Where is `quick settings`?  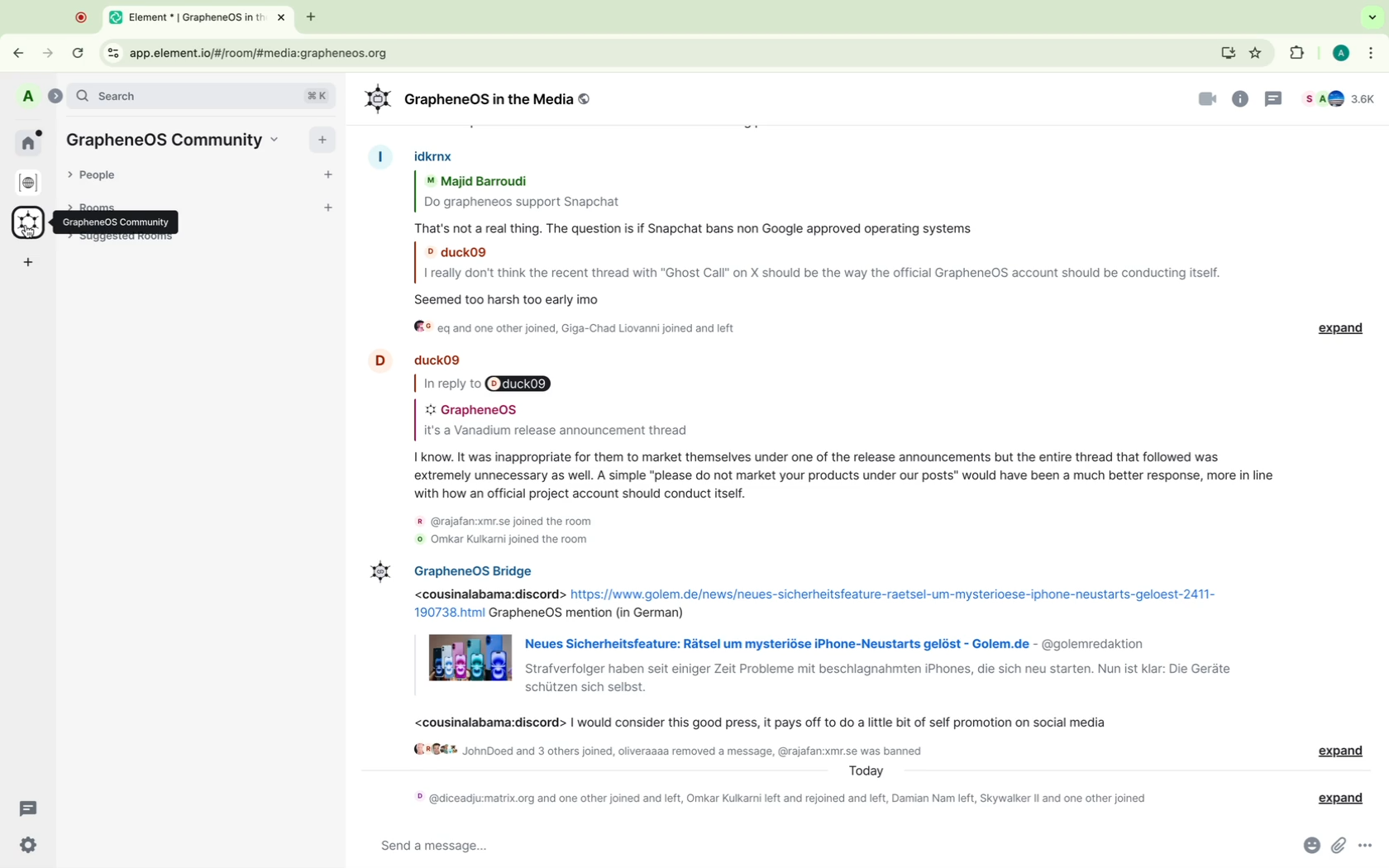 quick settings is located at coordinates (26, 847).